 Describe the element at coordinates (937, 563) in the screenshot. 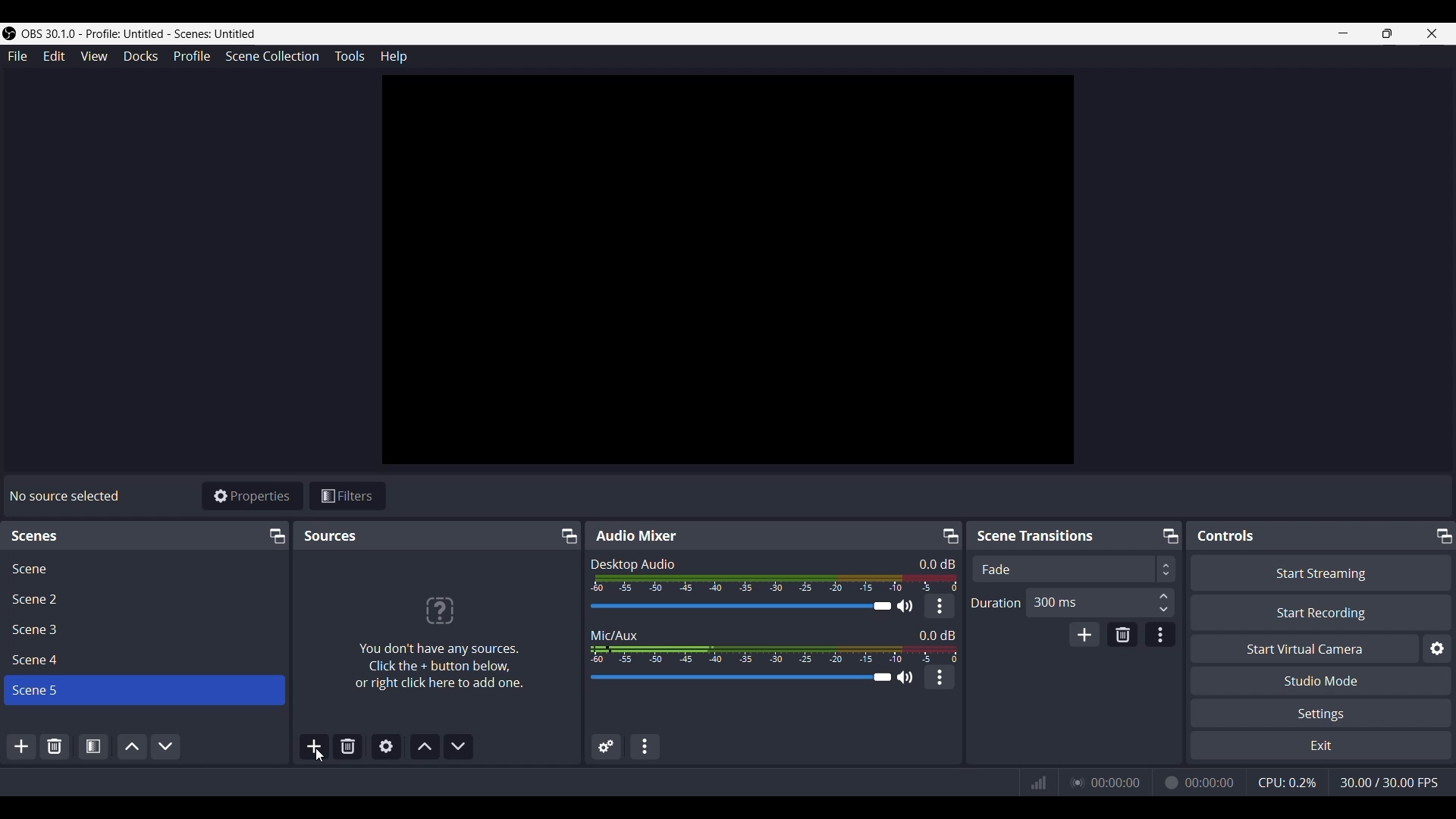

I see `0.0 dB` at that location.